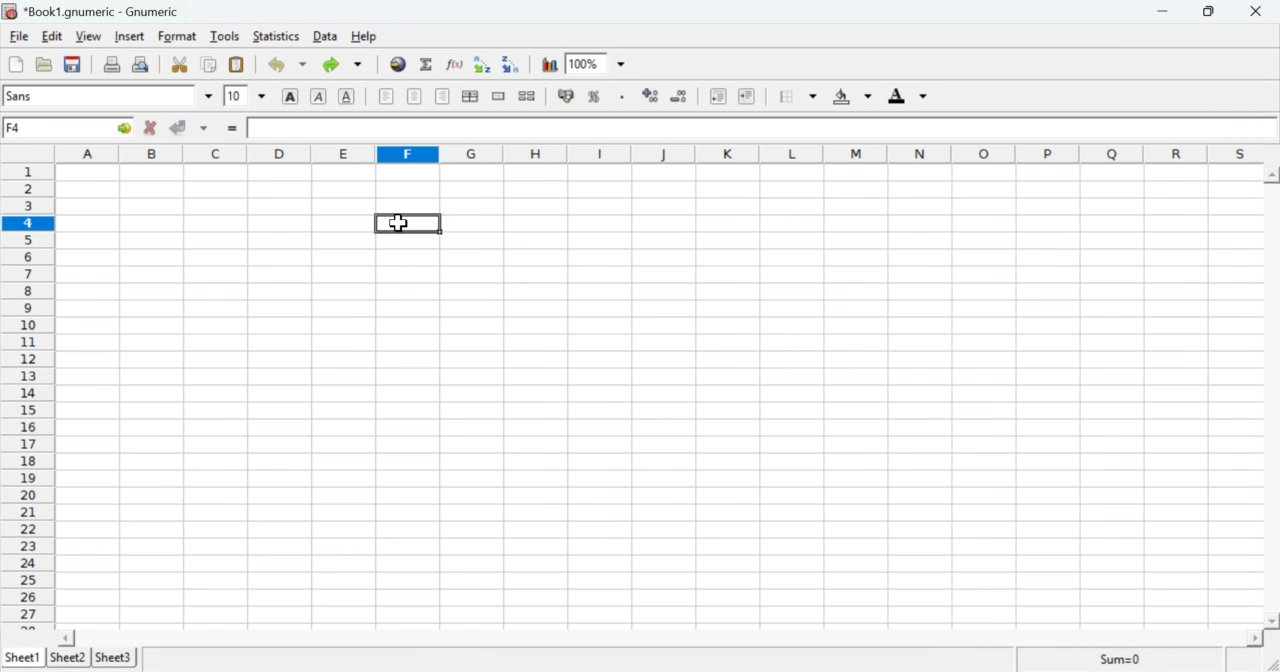 Image resolution: width=1280 pixels, height=672 pixels. I want to click on Sheet3 , so click(118, 658).